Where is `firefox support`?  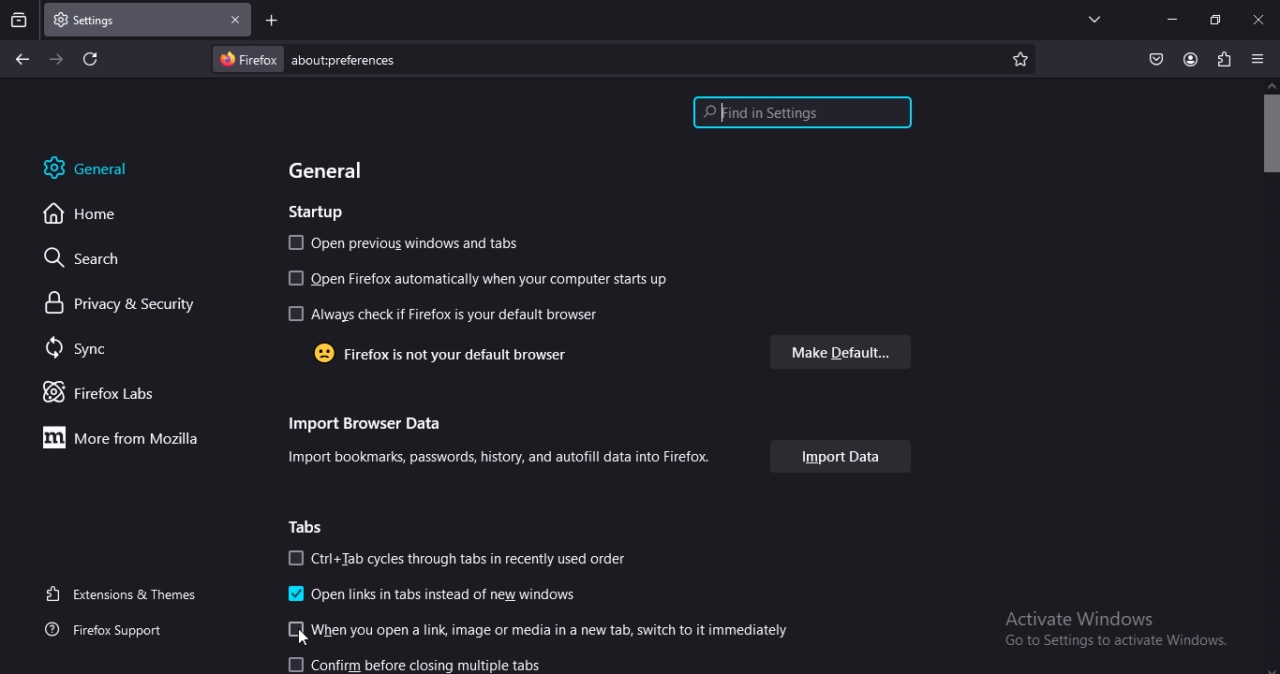
firefox support is located at coordinates (113, 629).